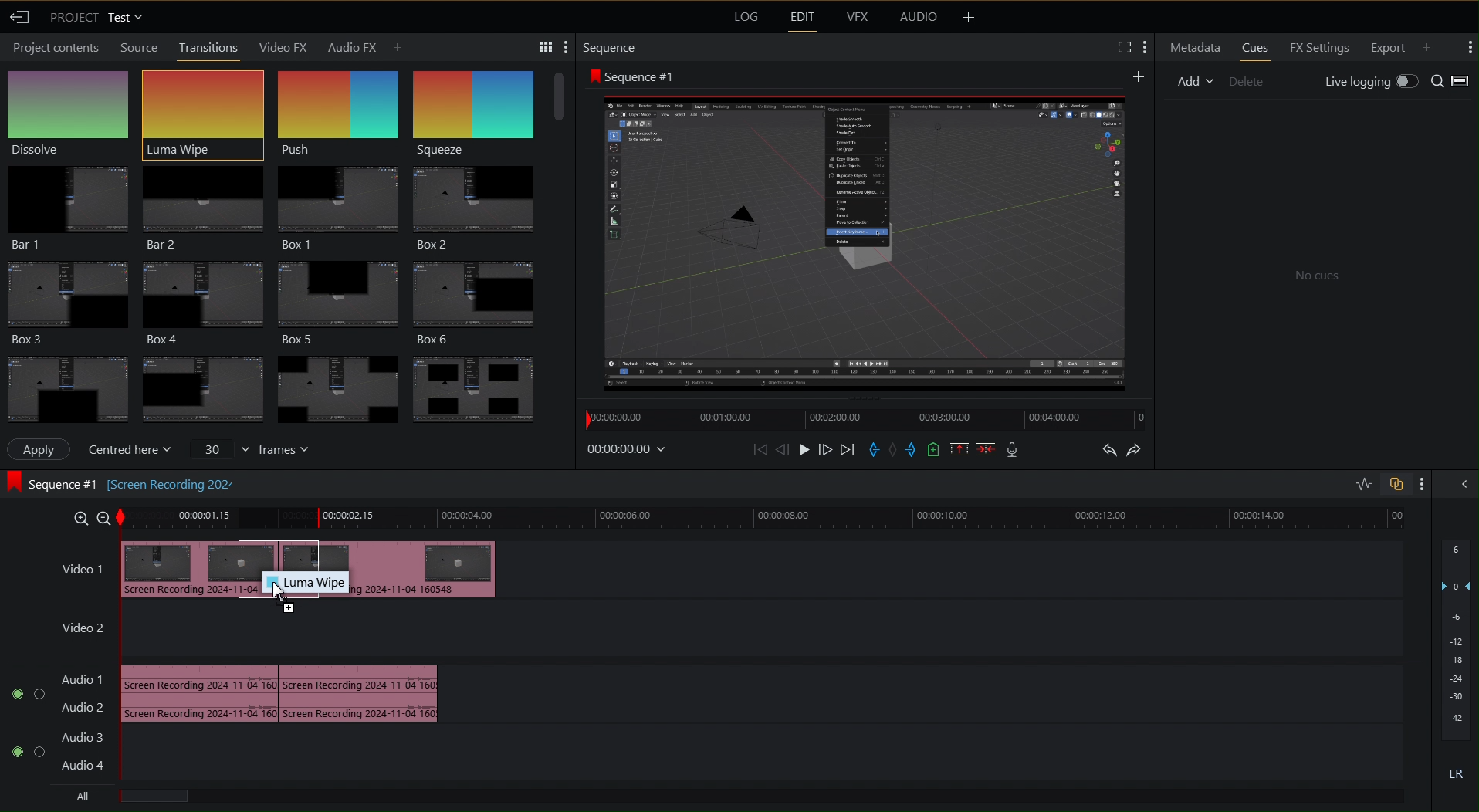 This screenshot has height=812, width=1479. I want to click on Bar 1, so click(67, 205).